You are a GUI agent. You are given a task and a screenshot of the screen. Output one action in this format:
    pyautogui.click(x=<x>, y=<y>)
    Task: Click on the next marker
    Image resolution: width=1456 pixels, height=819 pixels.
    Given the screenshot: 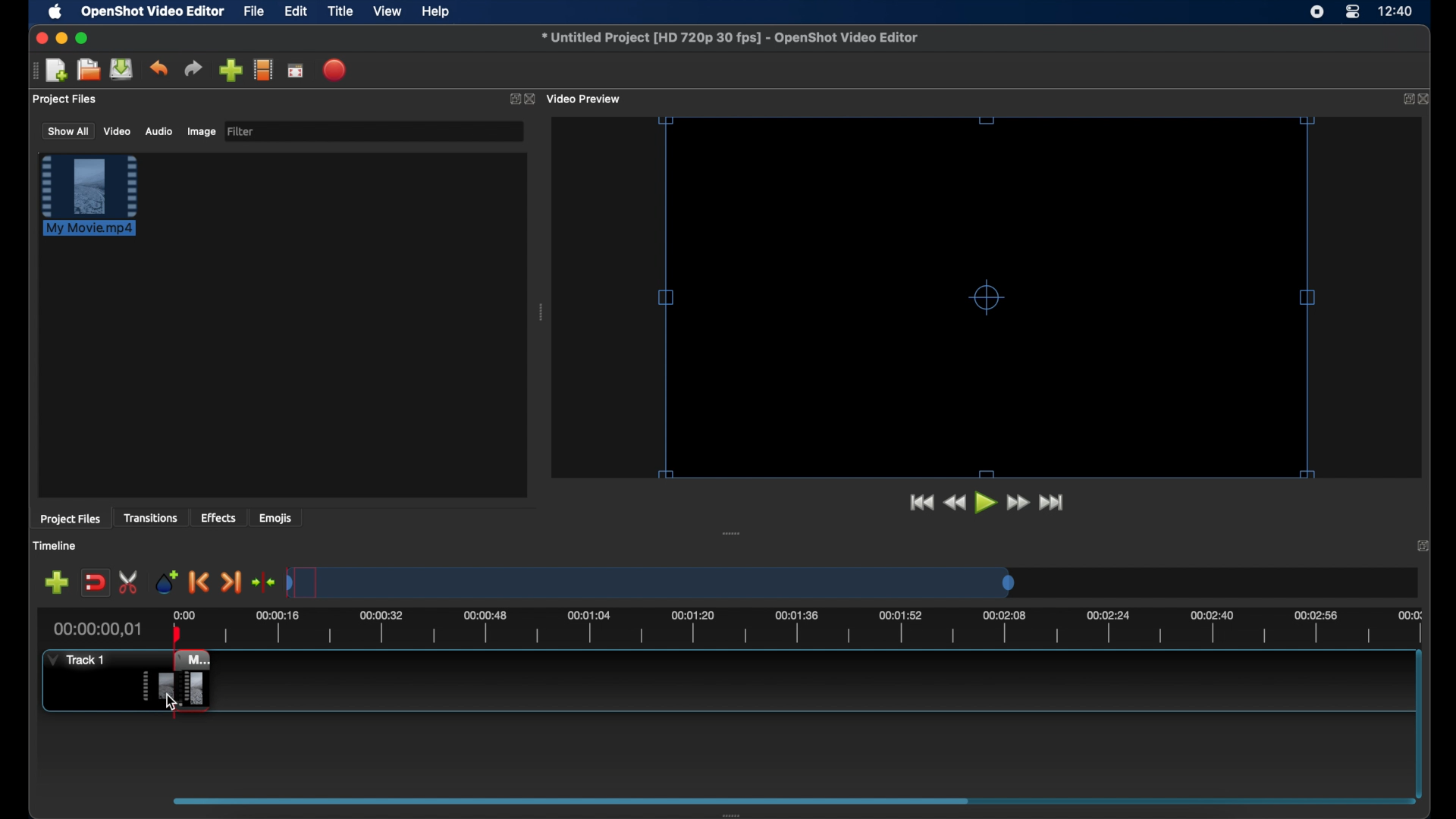 What is the action you would take?
    pyautogui.click(x=231, y=583)
    